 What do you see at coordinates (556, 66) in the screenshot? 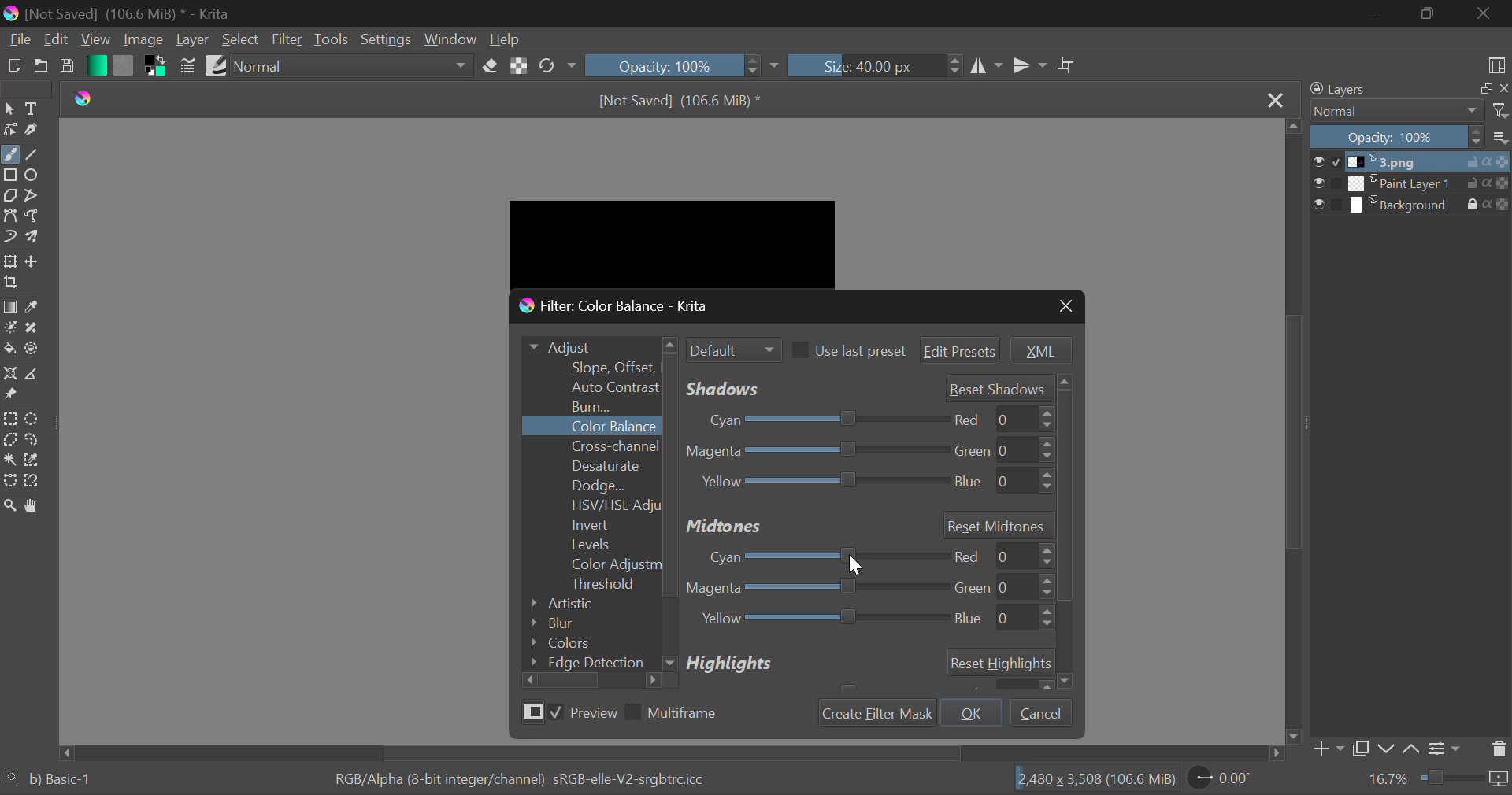
I see `Rotate Image` at bounding box center [556, 66].